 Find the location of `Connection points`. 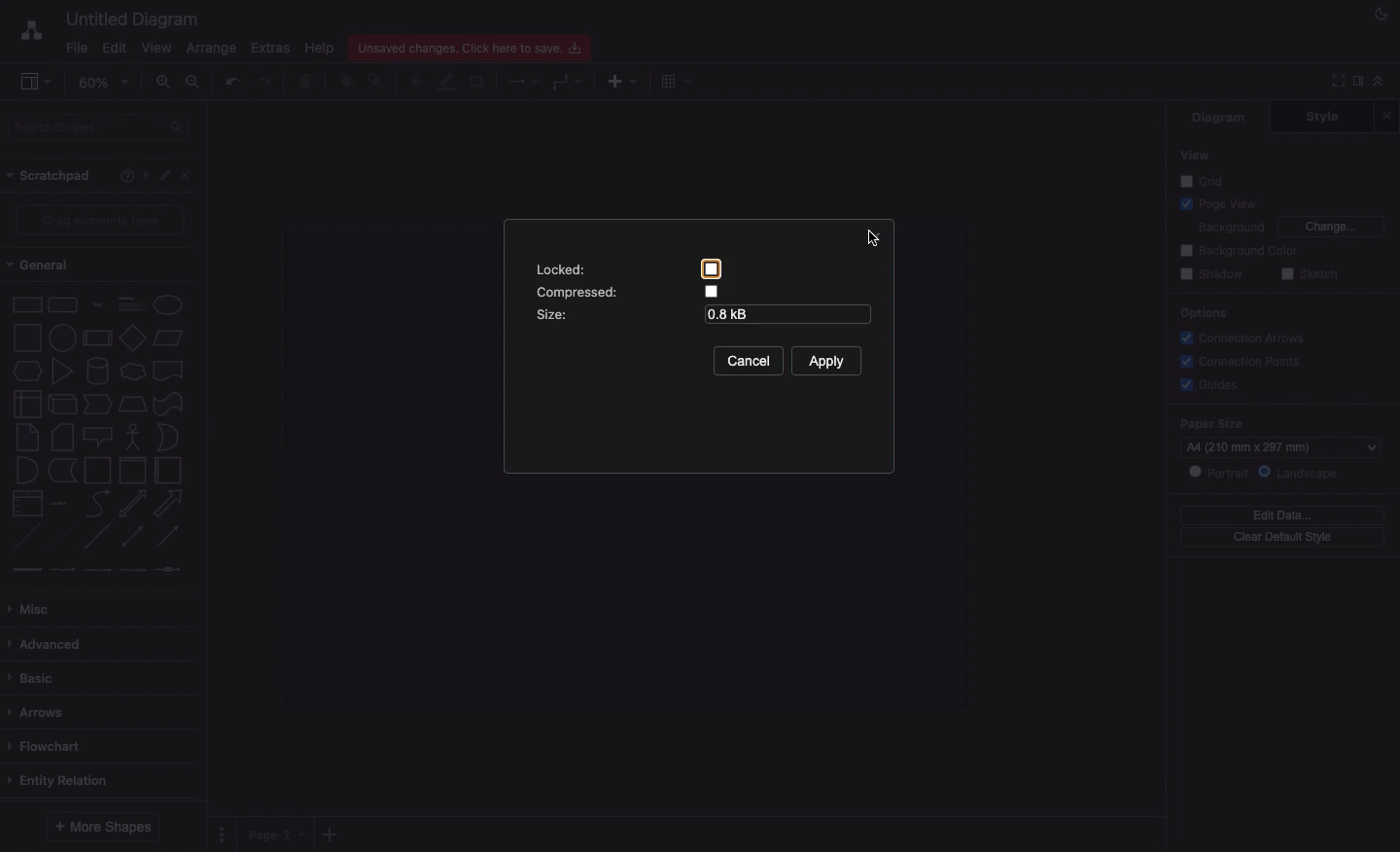

Connection points is located at coordinates (1239, 361).